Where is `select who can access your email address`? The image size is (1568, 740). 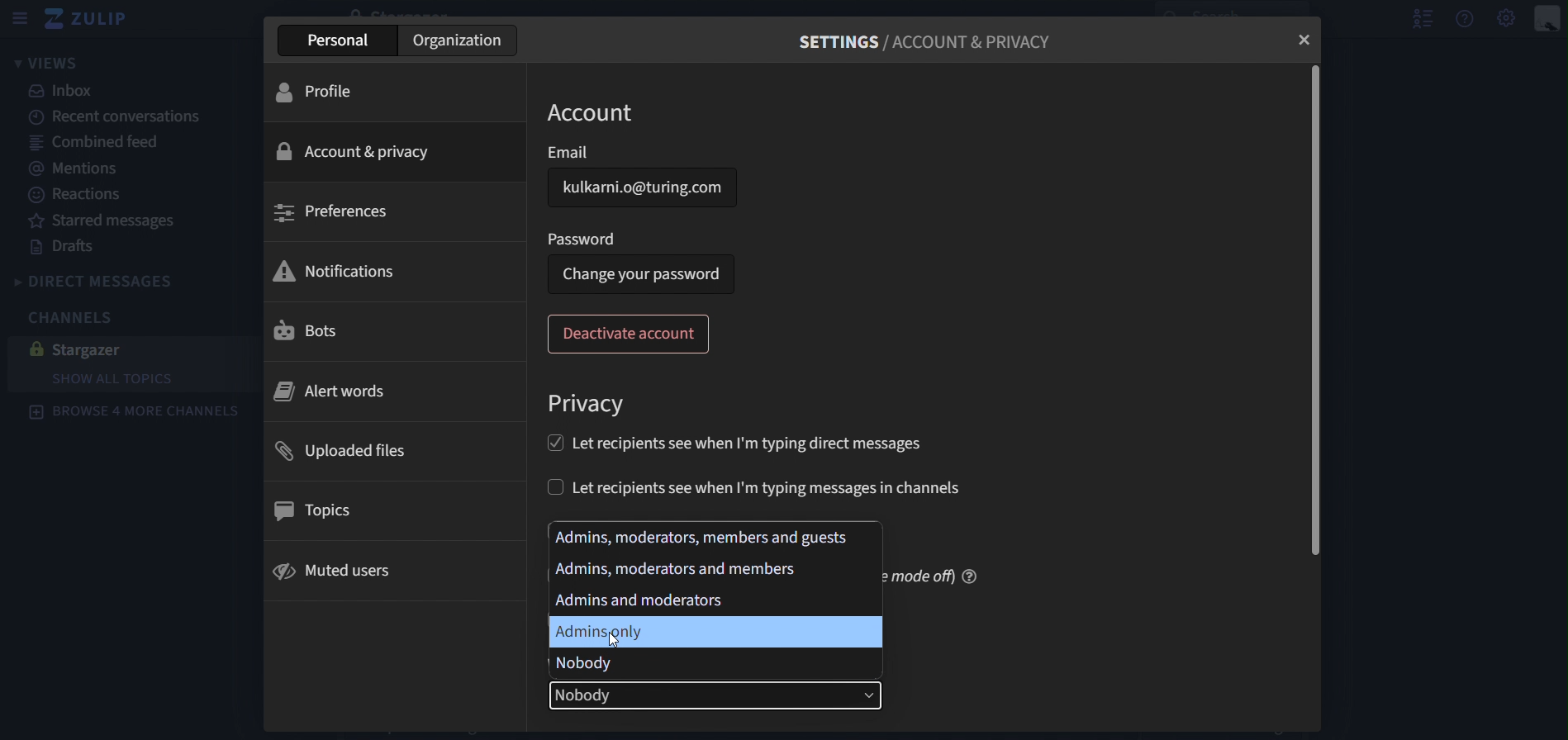 select who can access your email address is located at coordinates (720, 697).